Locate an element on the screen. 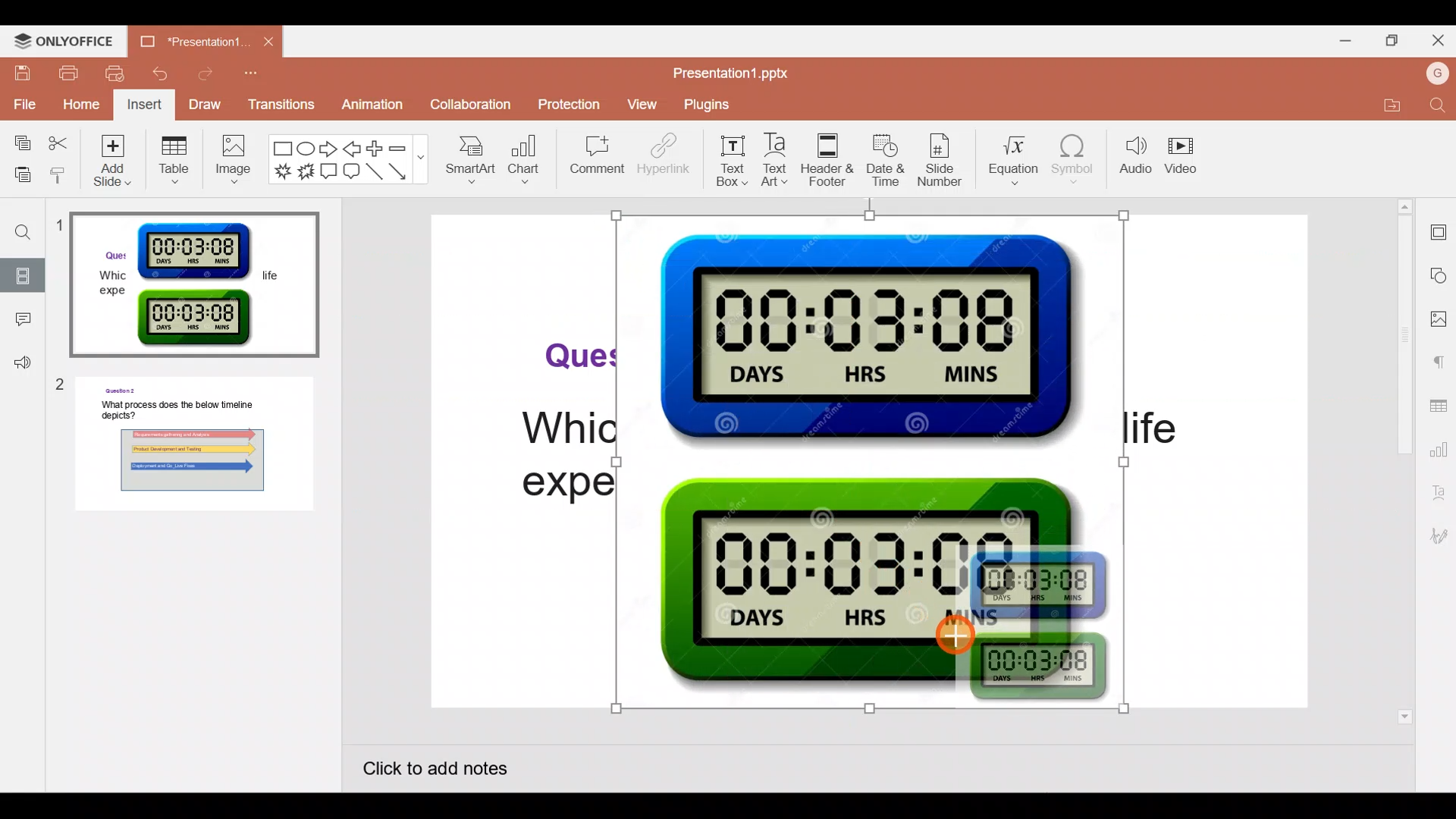 This screenshot has height=819, width=1456. Slide 2 preview is located at coordinates (191, 451).